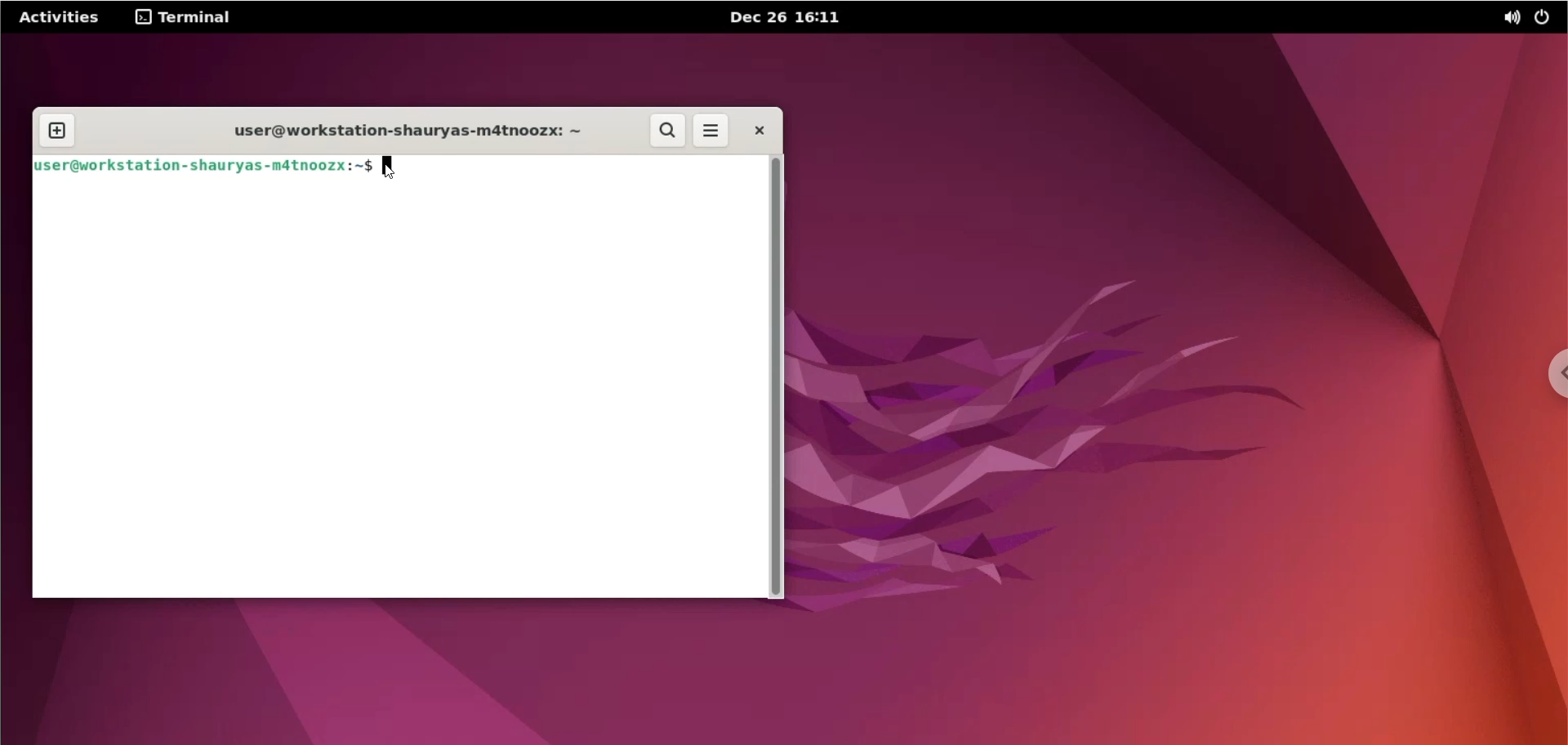 The width and height of the screenshot is (1568, 745). I want to click on scrollbar, so click(773, 377).